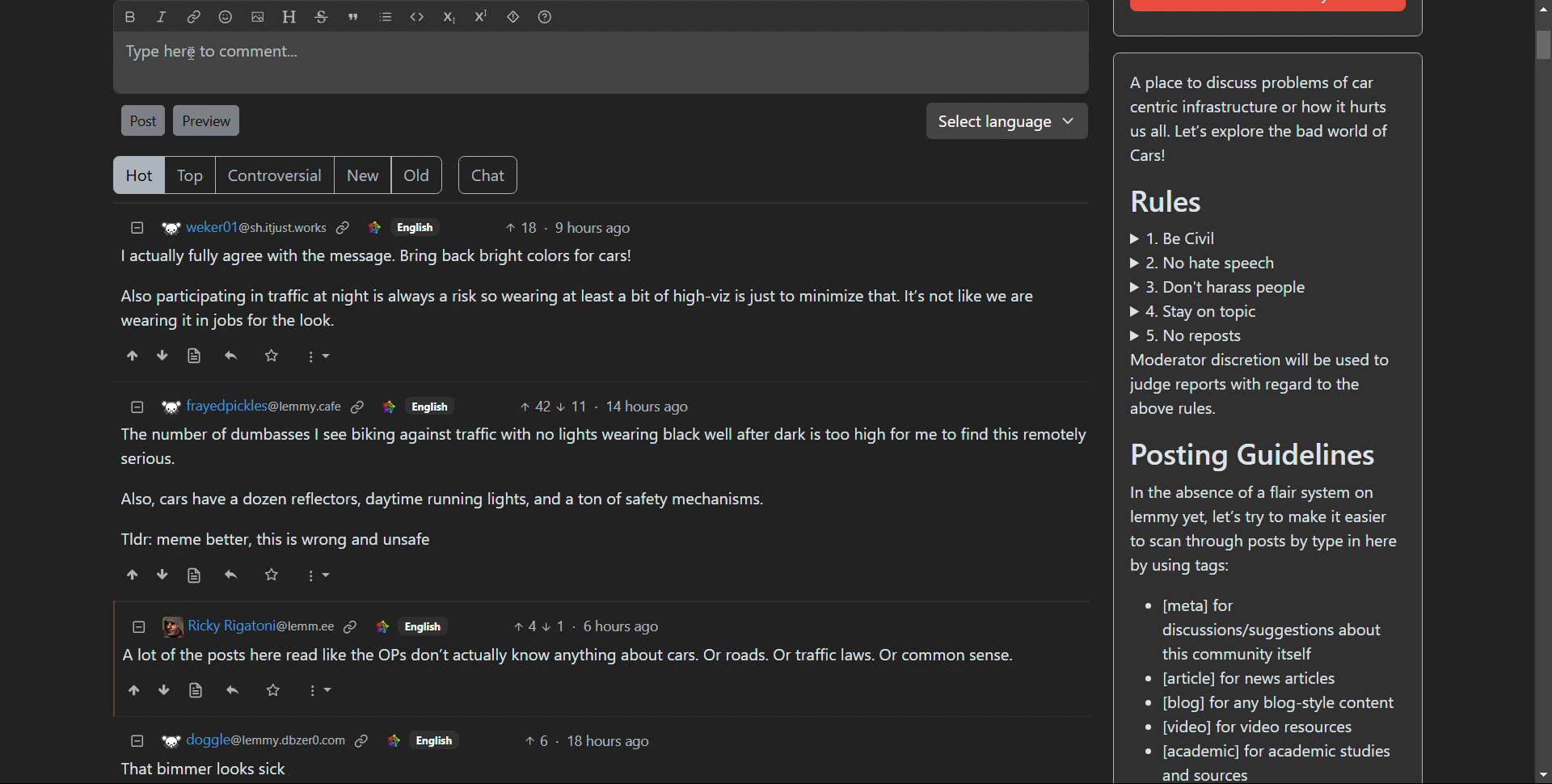  What do you see at coordinates (512, 17) in the screenshot?
I see `spoiler` at bounding box center [512, 17].